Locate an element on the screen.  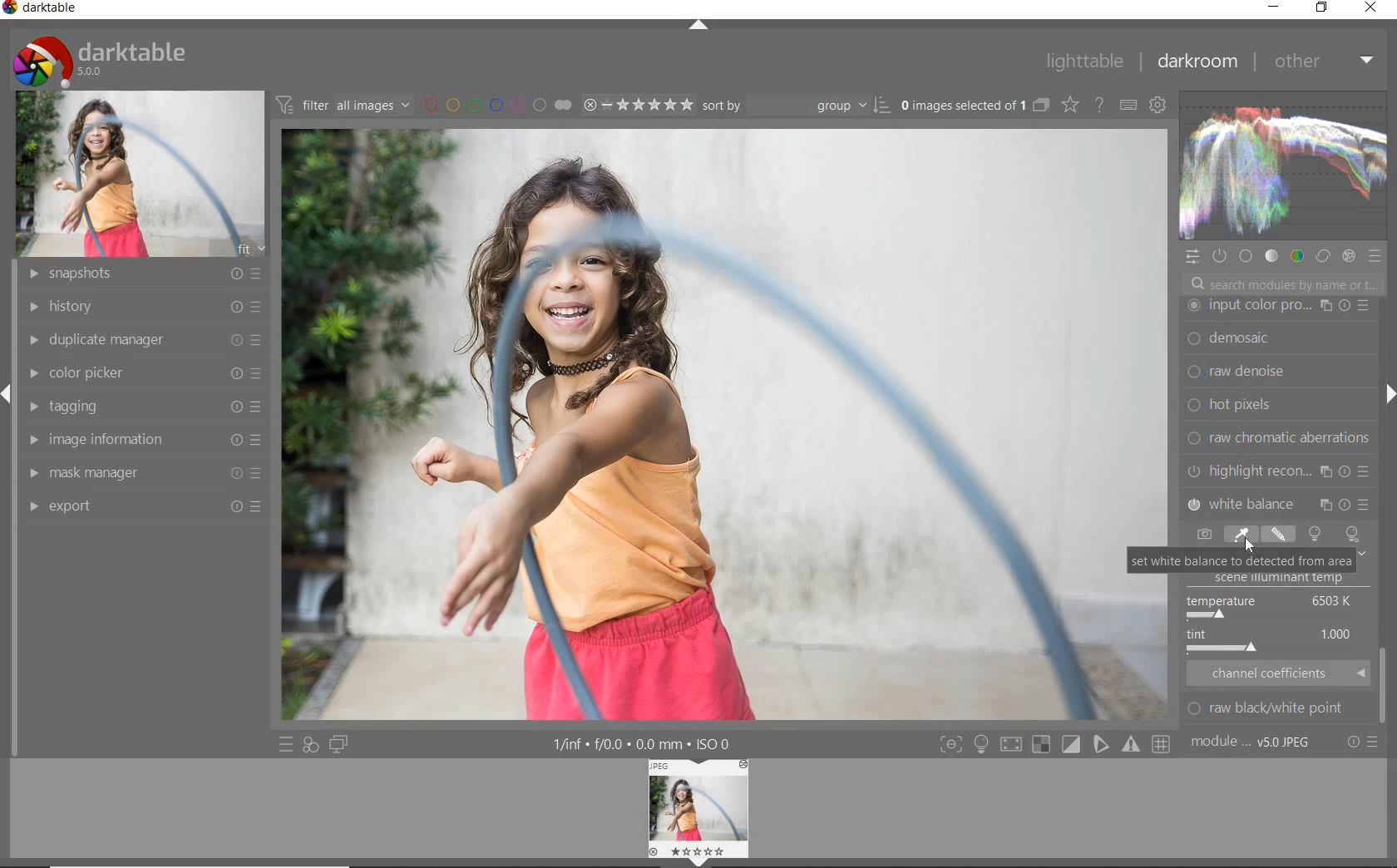
image preview is located at coordinates (699, 813).